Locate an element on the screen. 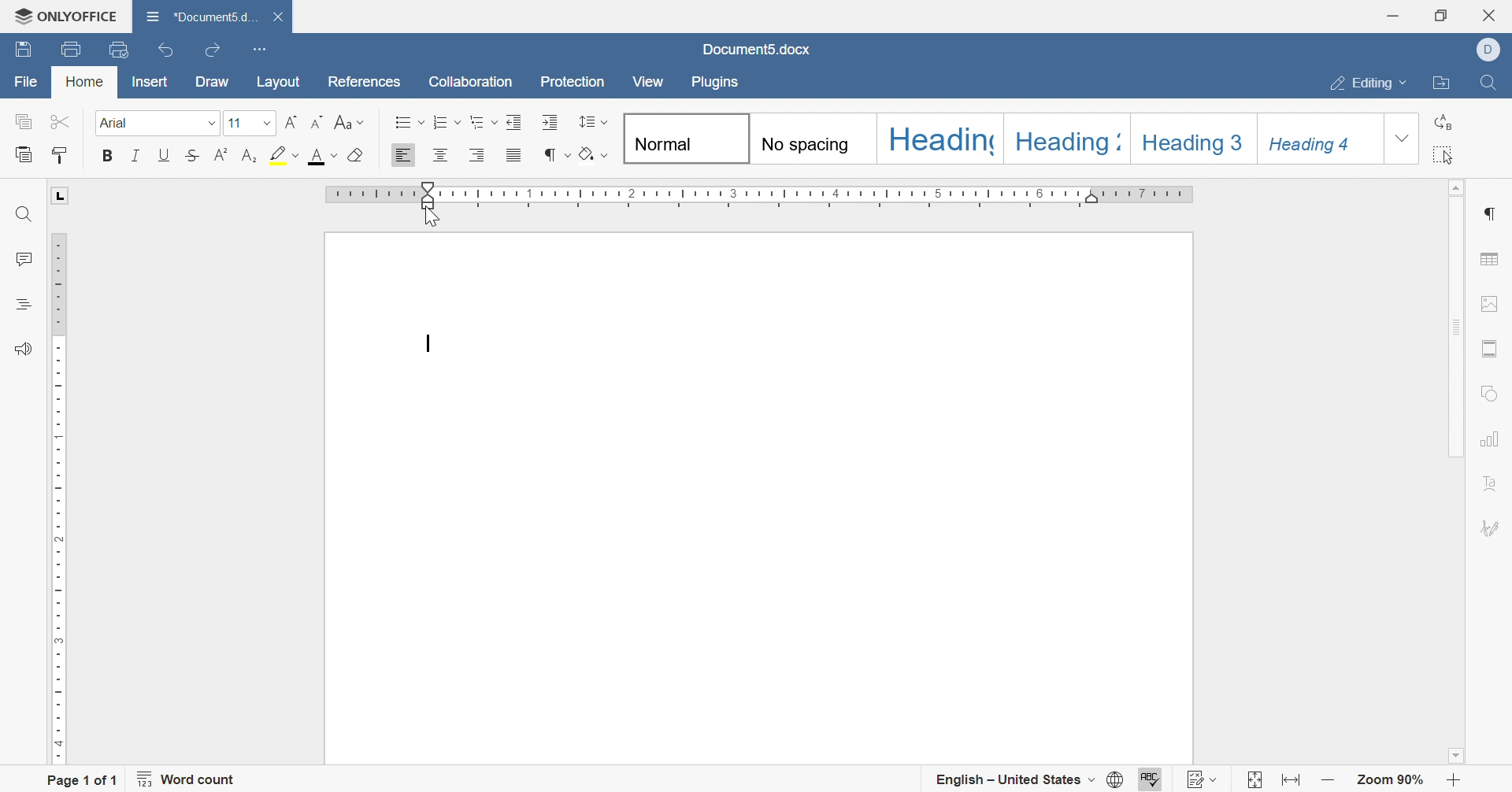  superscript is located at coordinates (222, 154).